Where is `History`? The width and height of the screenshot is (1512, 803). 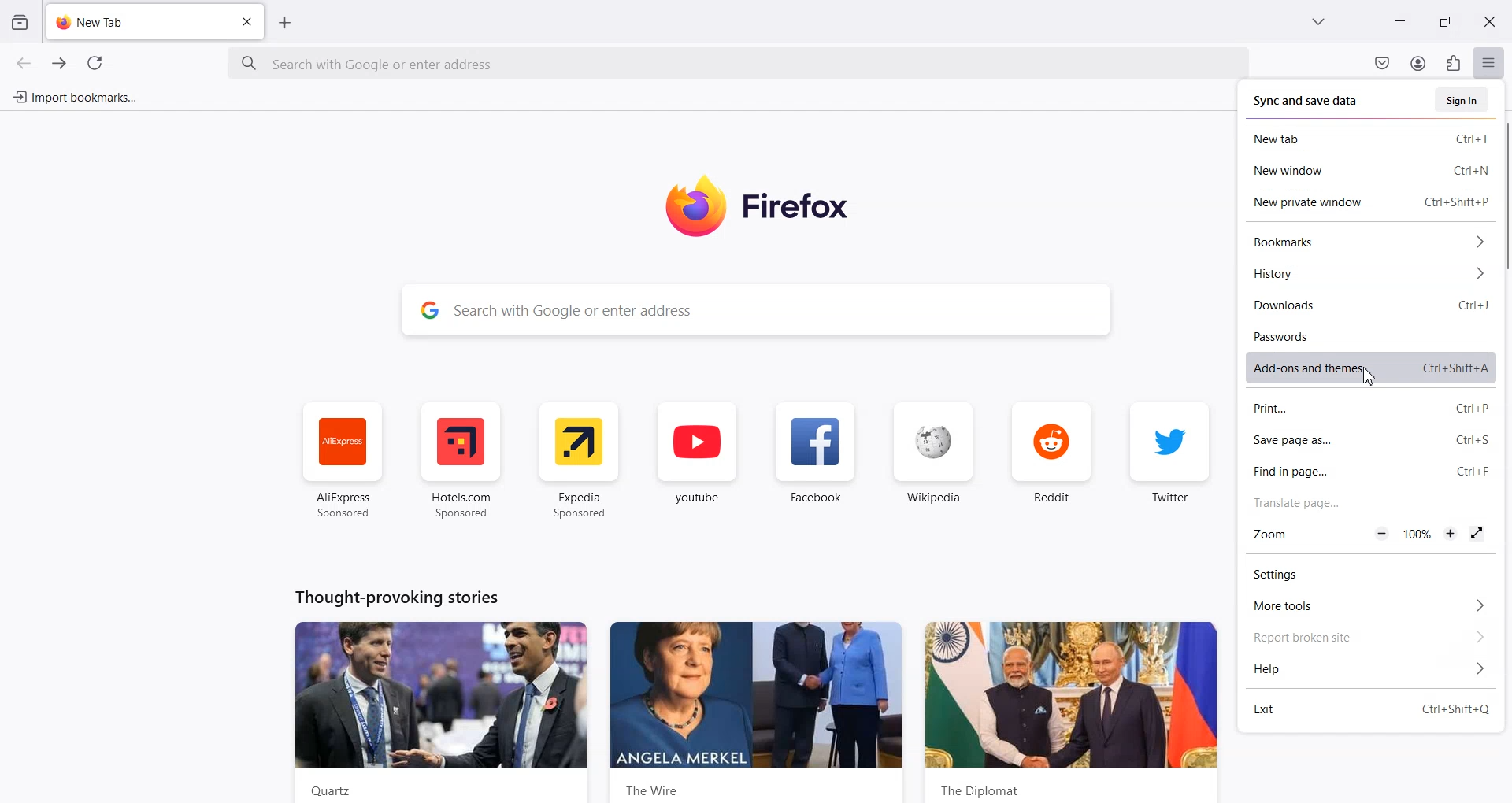 History is located at coordinates (1367, 272).